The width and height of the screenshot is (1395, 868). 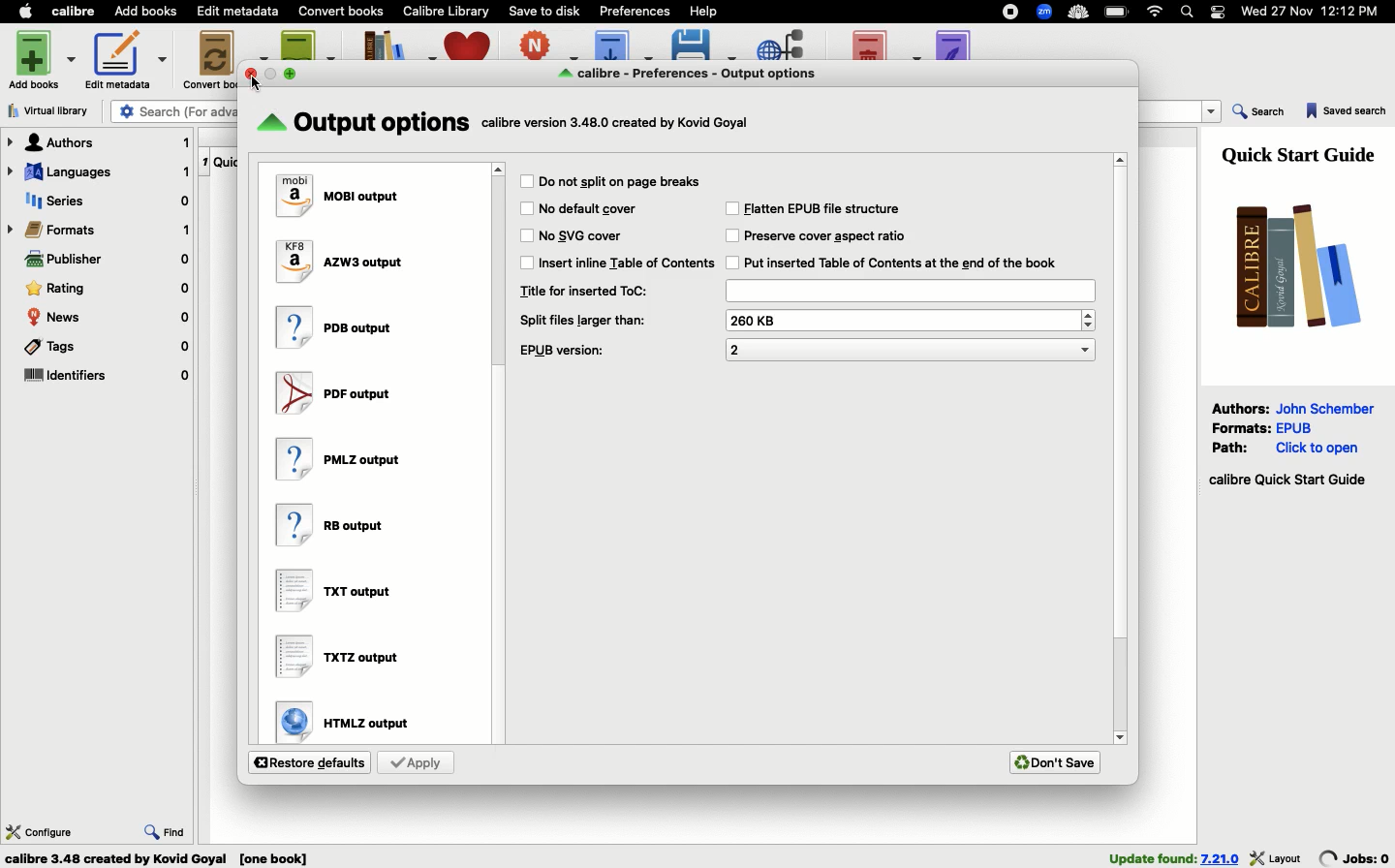 I want to click on Search, so click(x=1259, y=113).